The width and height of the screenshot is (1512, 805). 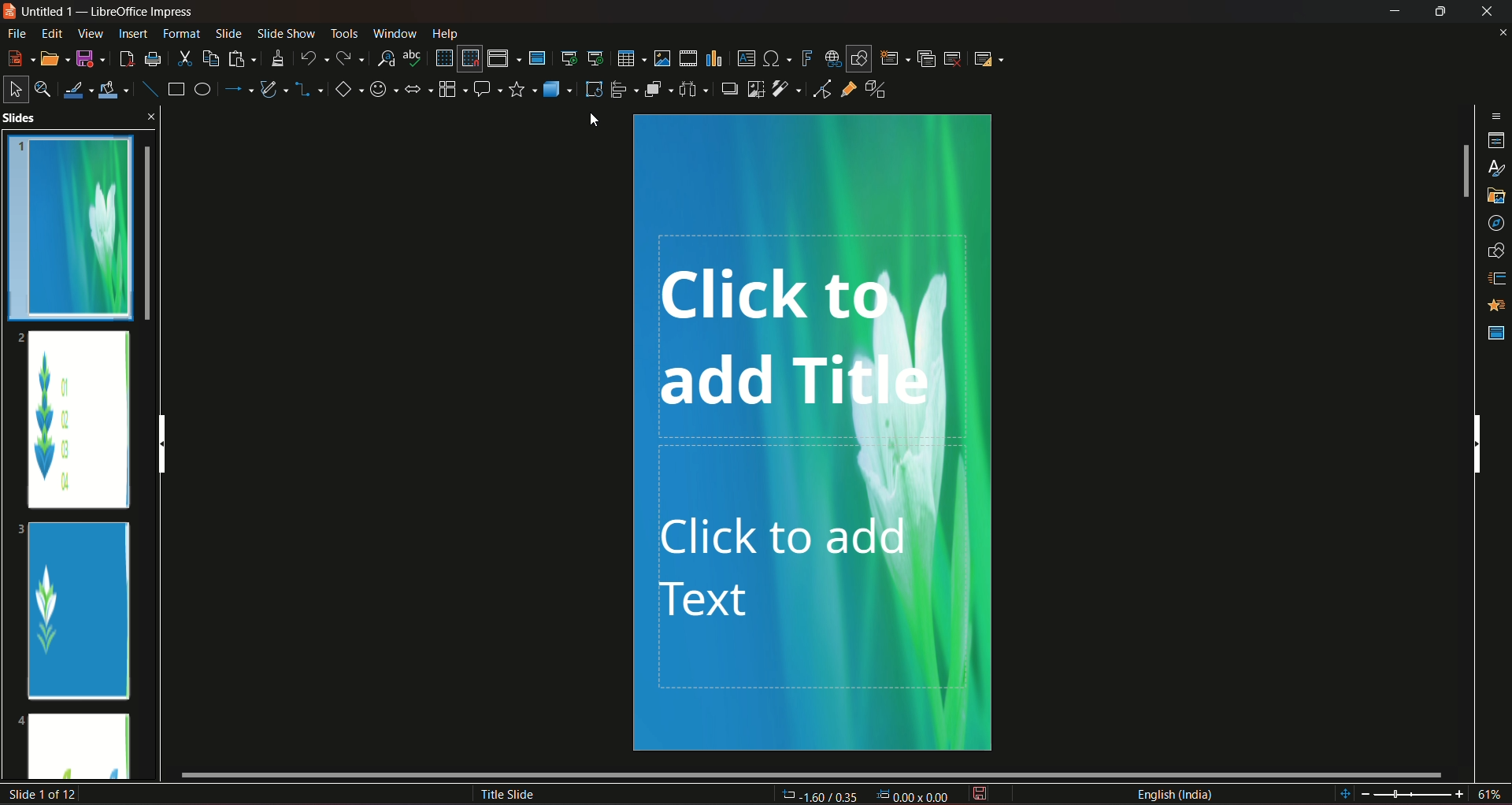 I want to click on copy , so click(x=209, y=57).